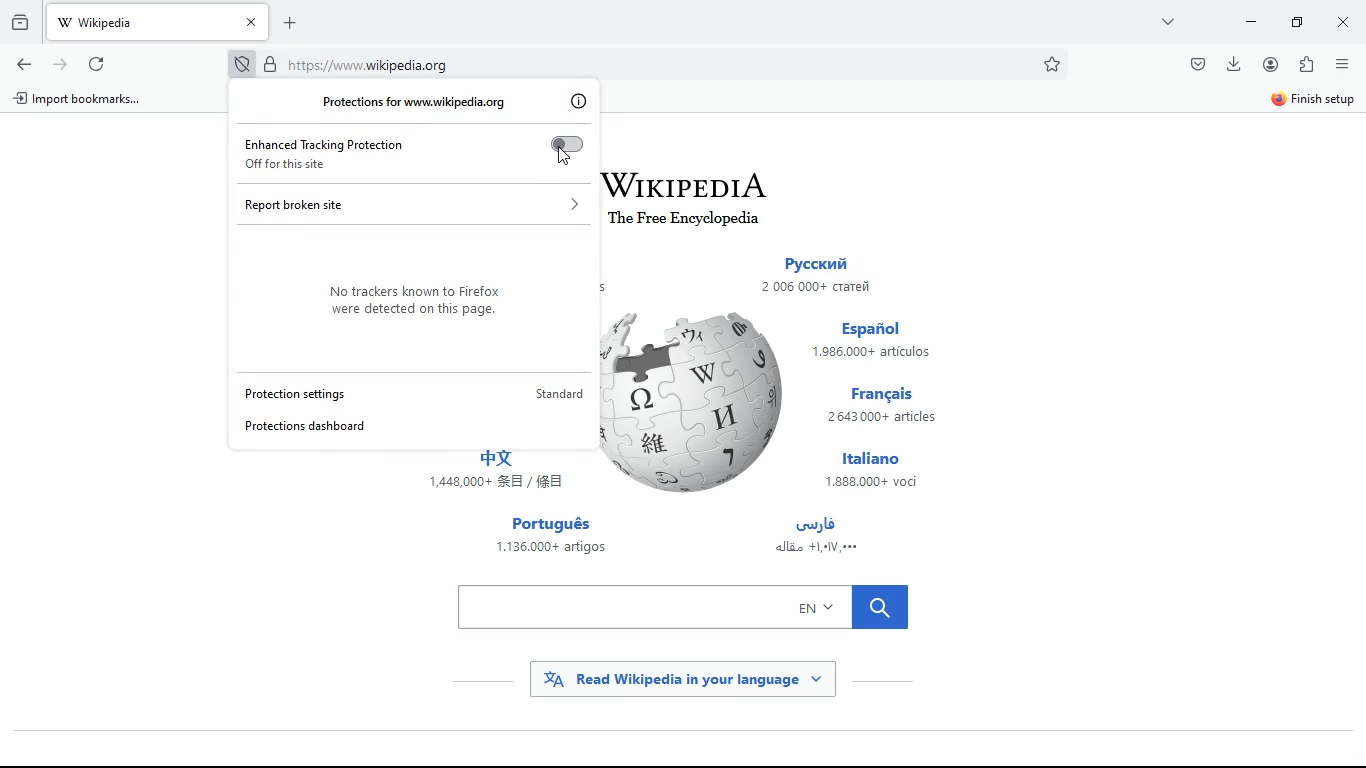 The height and width of the screenshot is (768, 1366). Describe the element at coordinates (552, 534) in the screenshot. I see `português` at that location.